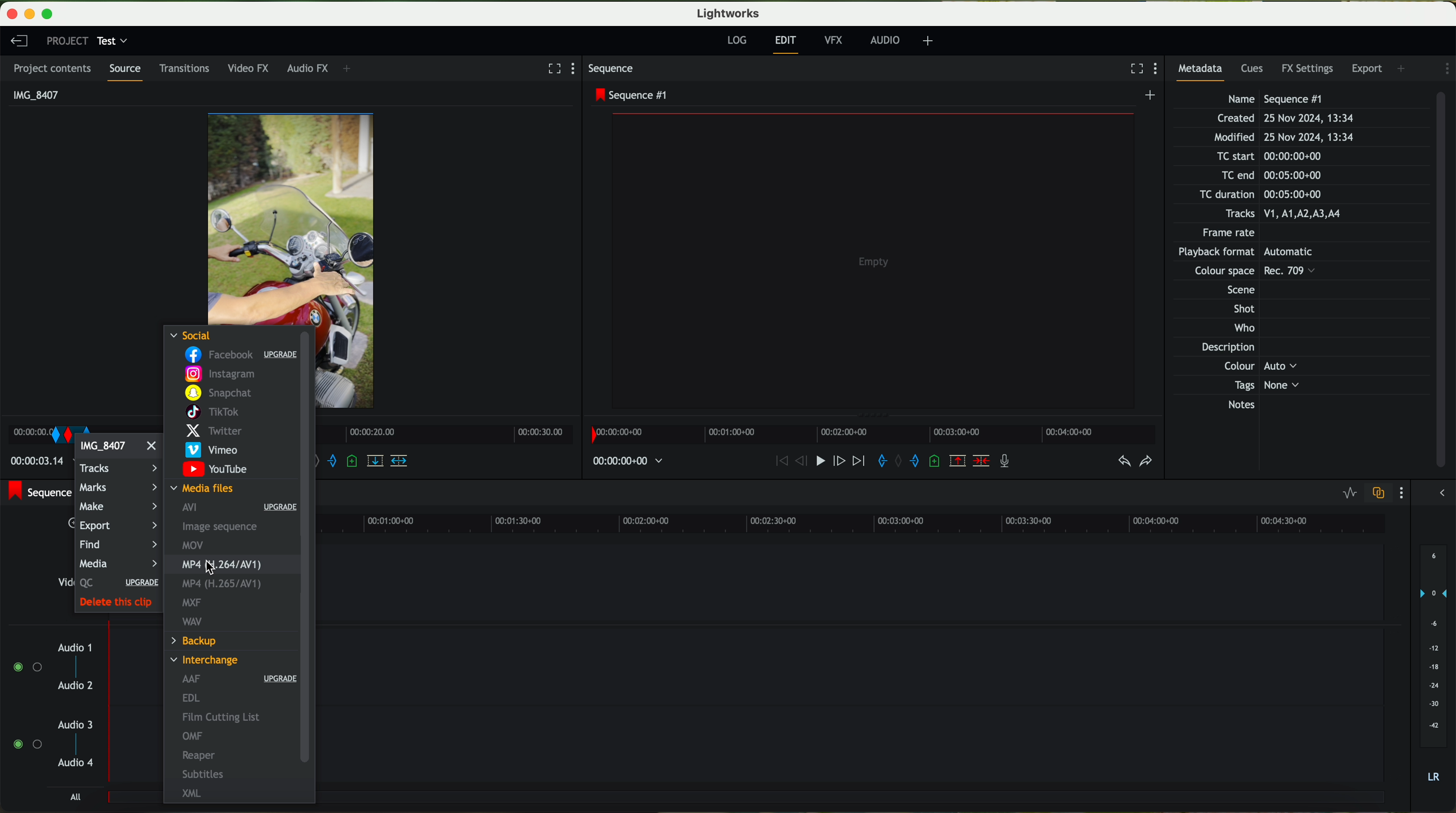 This screenshot has width=1456, height=813. I want to click on click on MP4, so click(231, 565).